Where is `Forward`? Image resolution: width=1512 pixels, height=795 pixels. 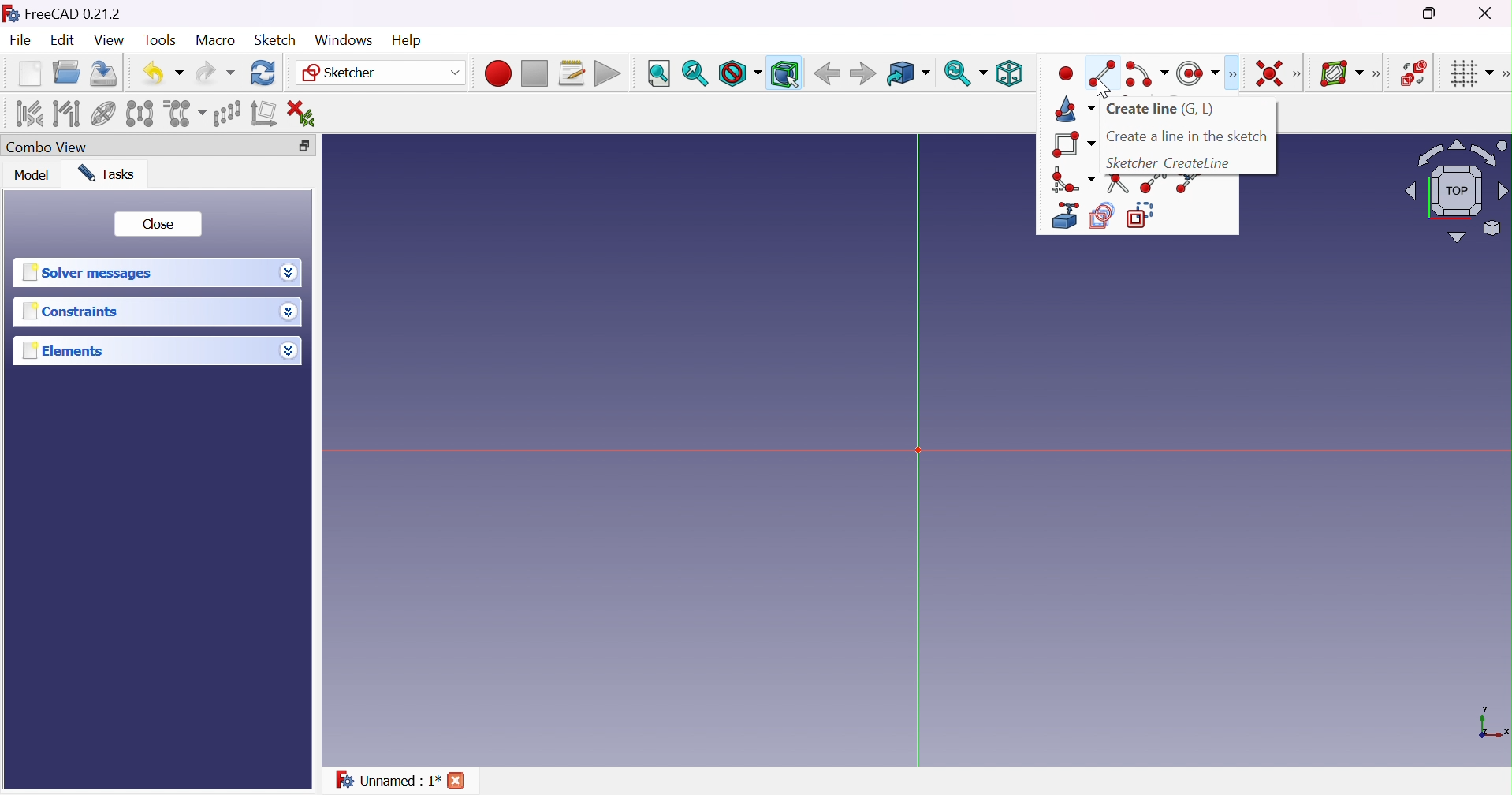
Forward is located at coordinates (863, 75).